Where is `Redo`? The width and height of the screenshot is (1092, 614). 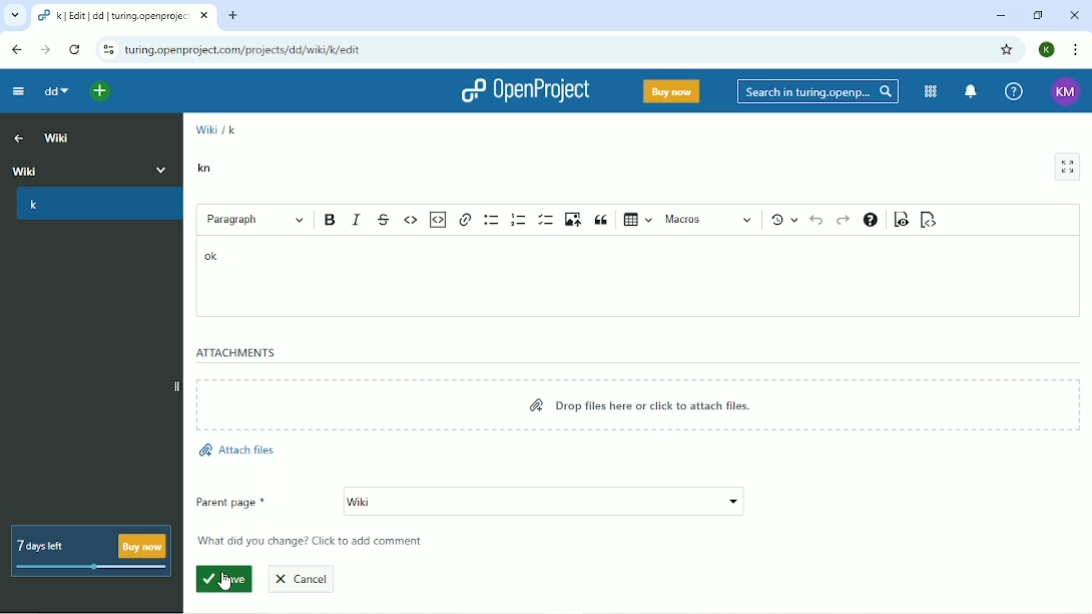
Redo is located at coordinates (842, 221).